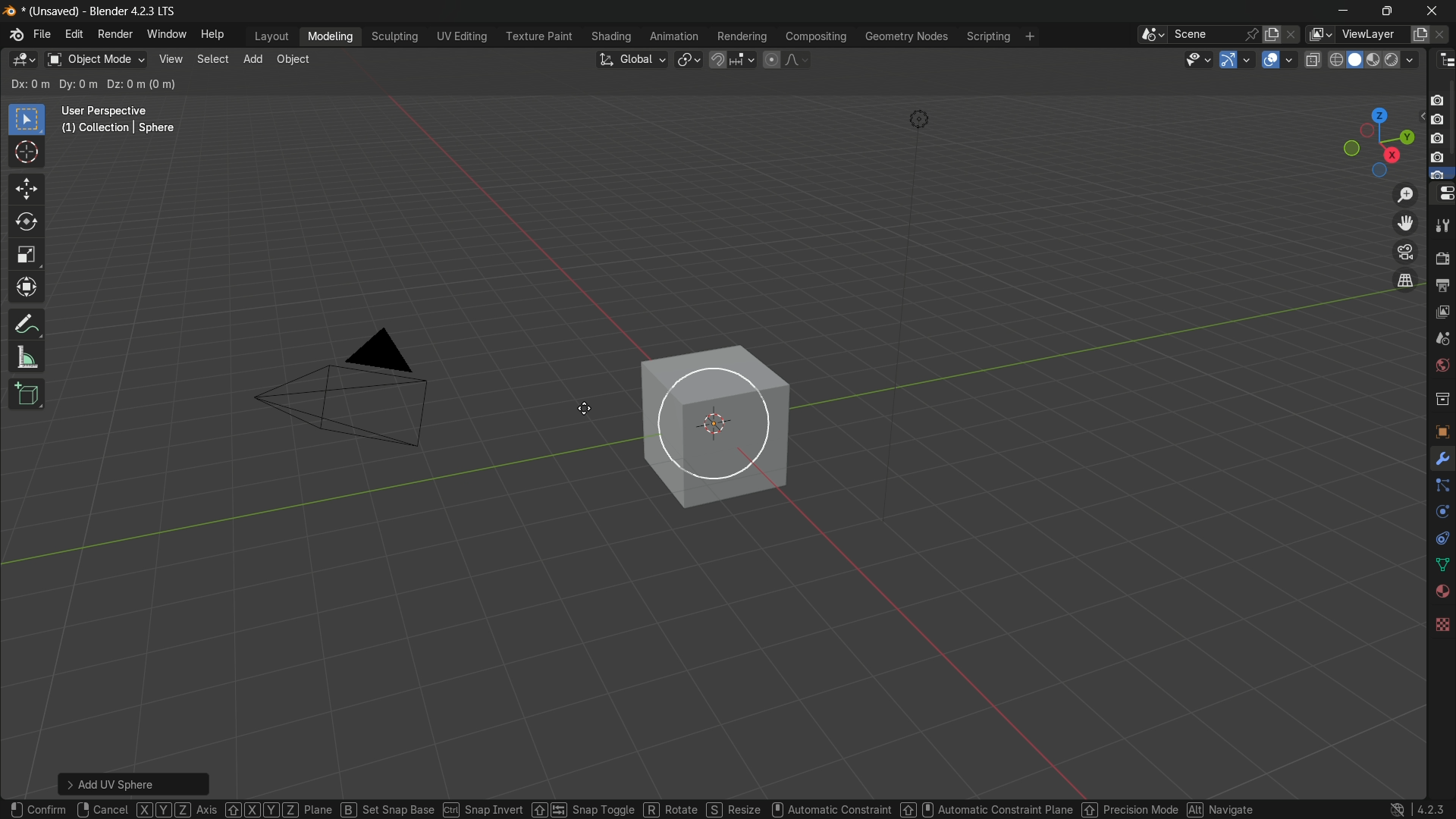  I want to click on Add UC Scheme, so click(134, 782).